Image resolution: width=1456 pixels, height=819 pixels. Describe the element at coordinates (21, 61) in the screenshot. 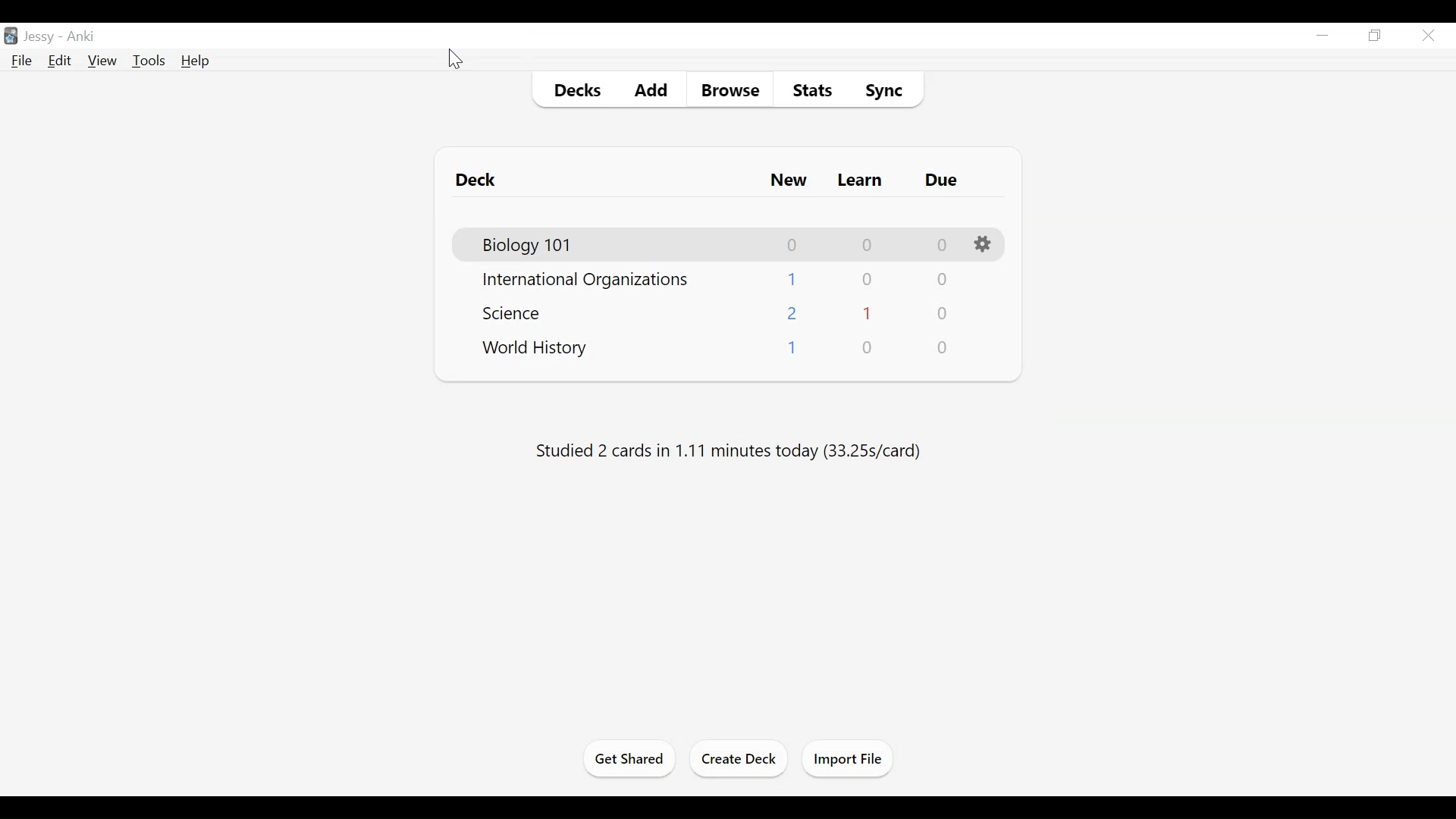

I see `File` at that location.